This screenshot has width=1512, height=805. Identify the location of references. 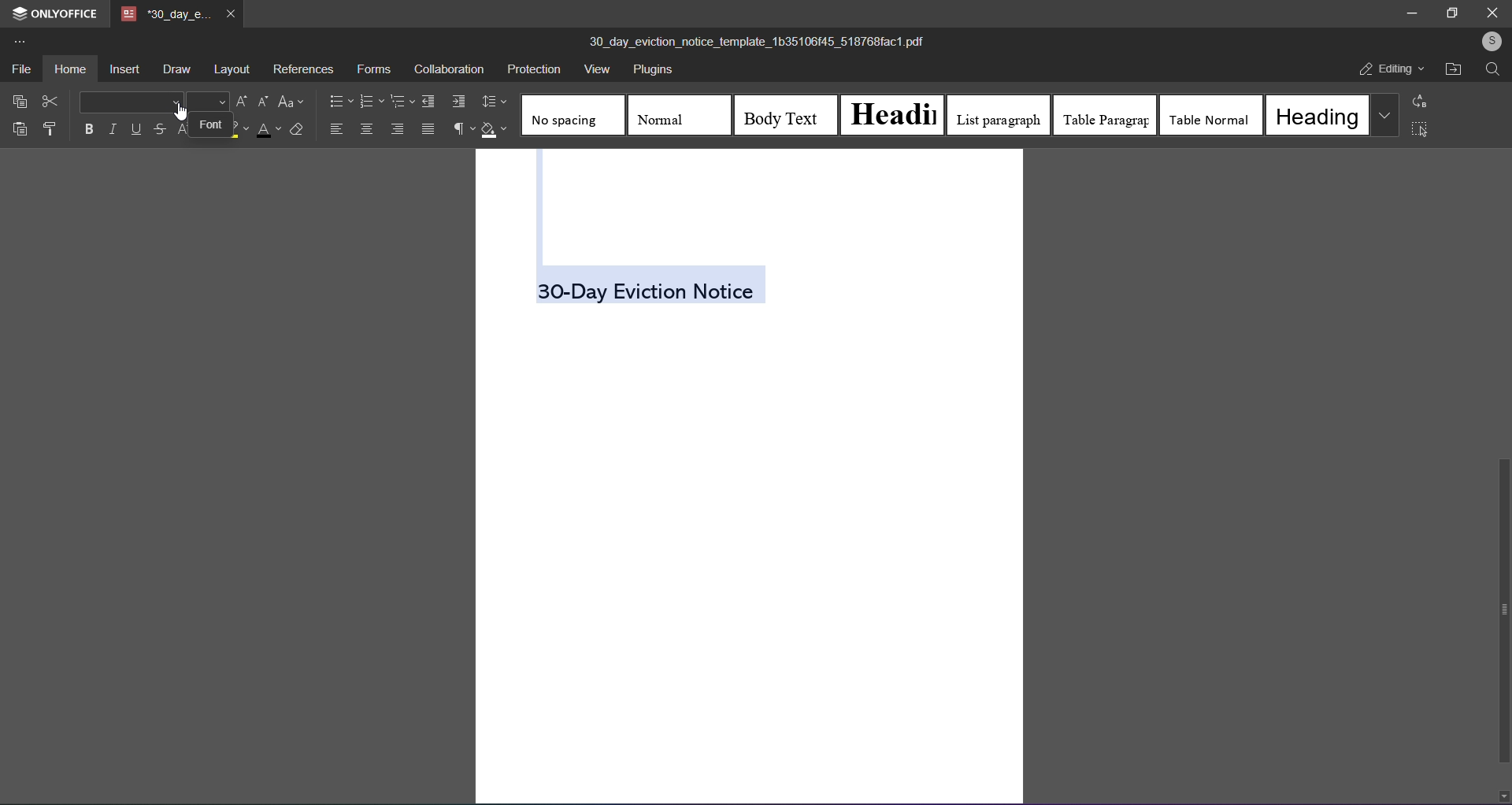
(303, 70).